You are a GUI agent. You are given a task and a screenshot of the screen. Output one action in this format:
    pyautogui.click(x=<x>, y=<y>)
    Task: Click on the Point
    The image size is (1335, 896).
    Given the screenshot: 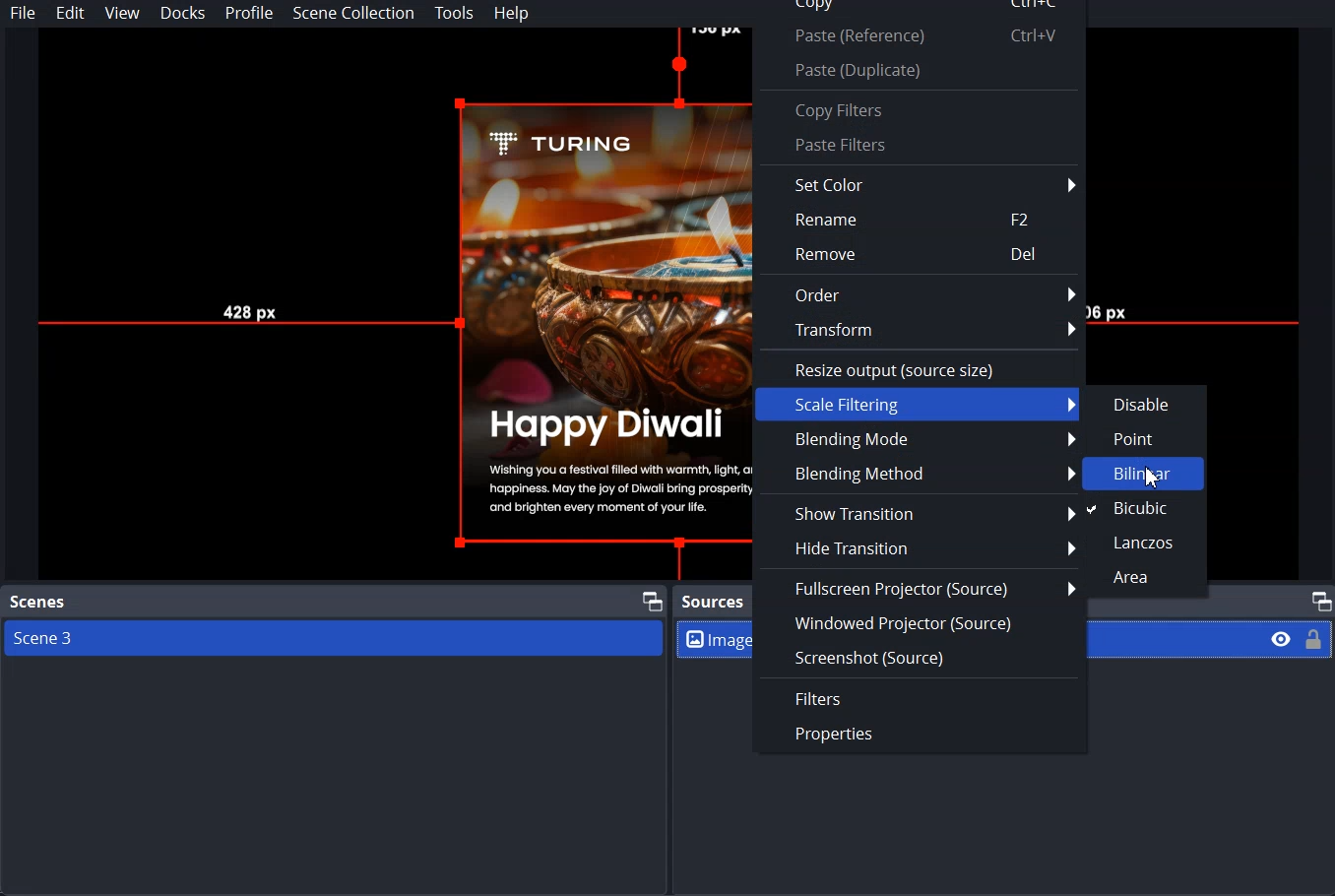 What is the action you would take?
    pyautogui.click(x=1143, y=435)
    